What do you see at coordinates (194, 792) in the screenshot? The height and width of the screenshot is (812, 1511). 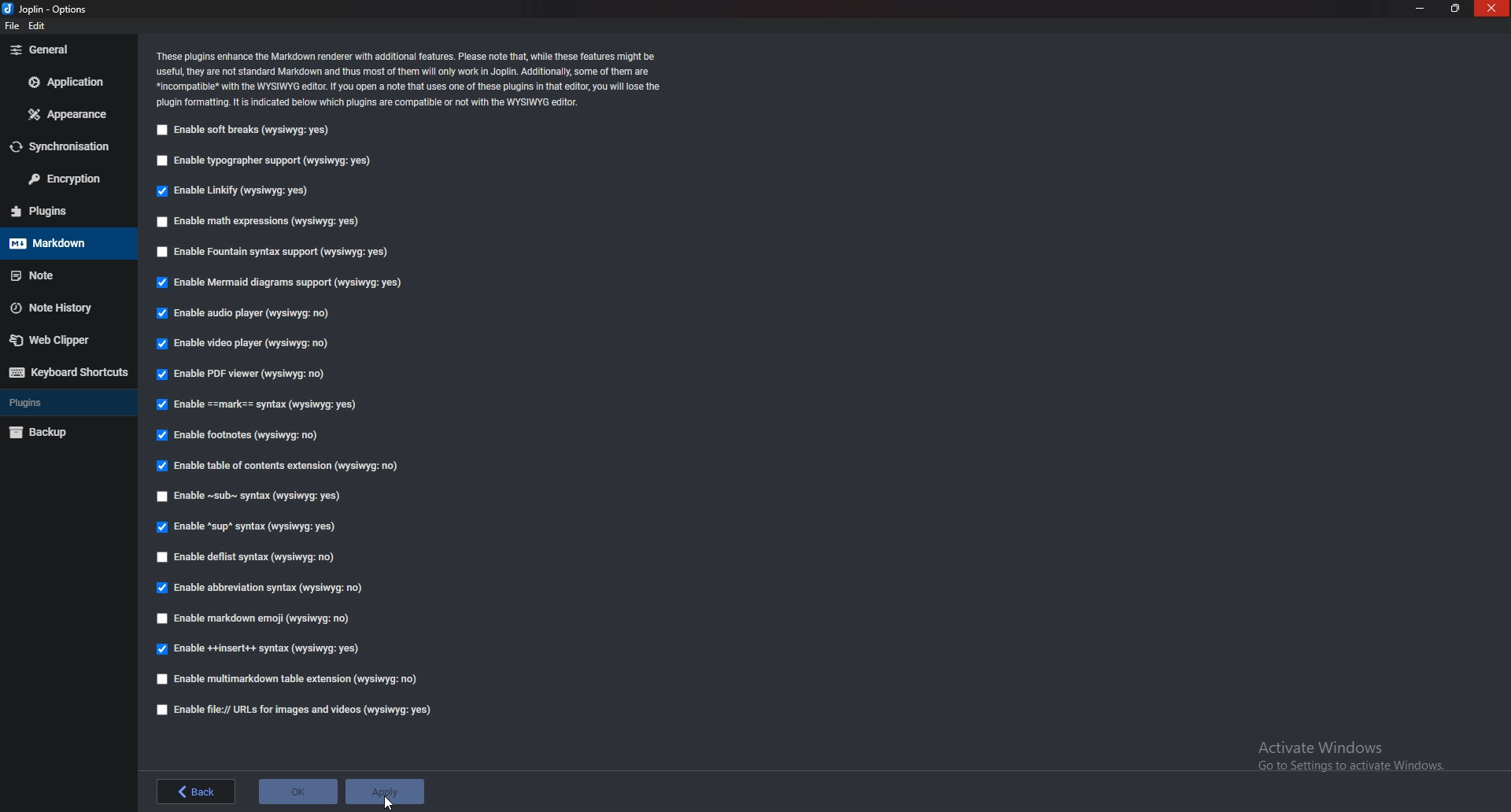 I see `back` at bounding box center [194, 792].